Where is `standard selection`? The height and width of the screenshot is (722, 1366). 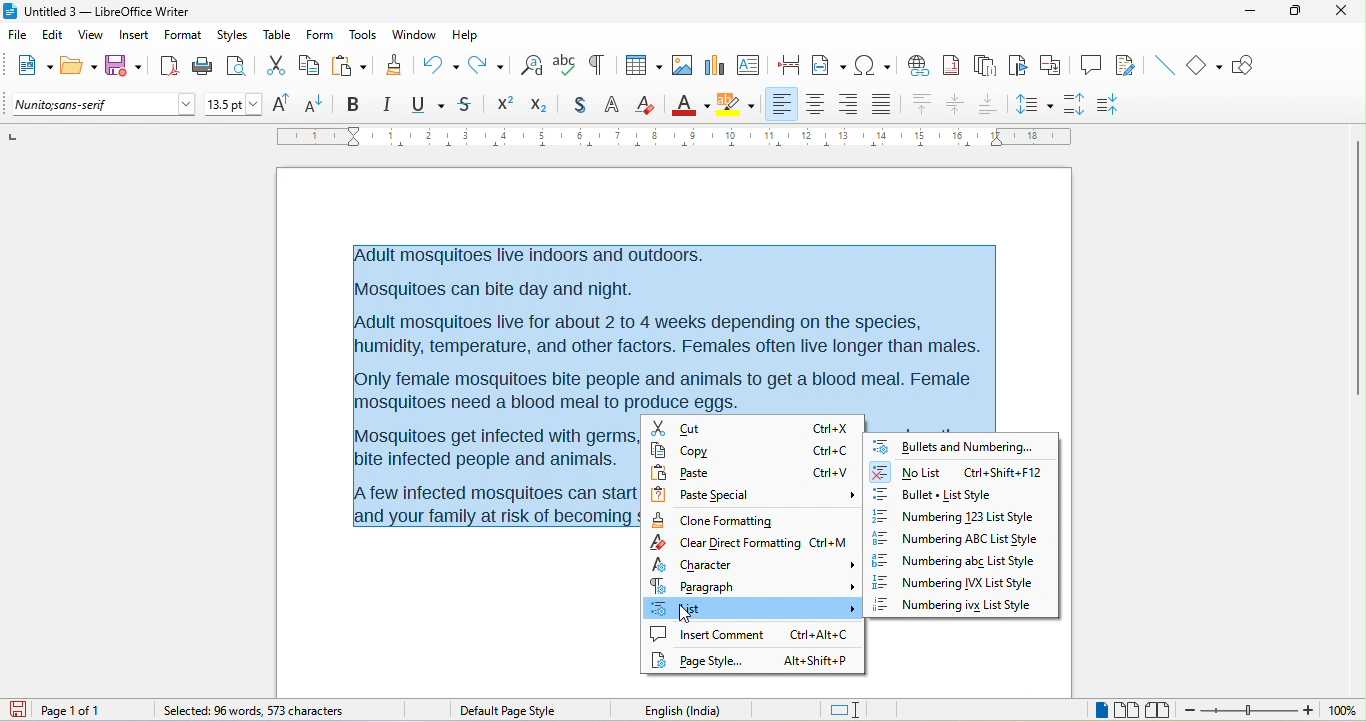 standard selection is located at coordinates (846, 709).